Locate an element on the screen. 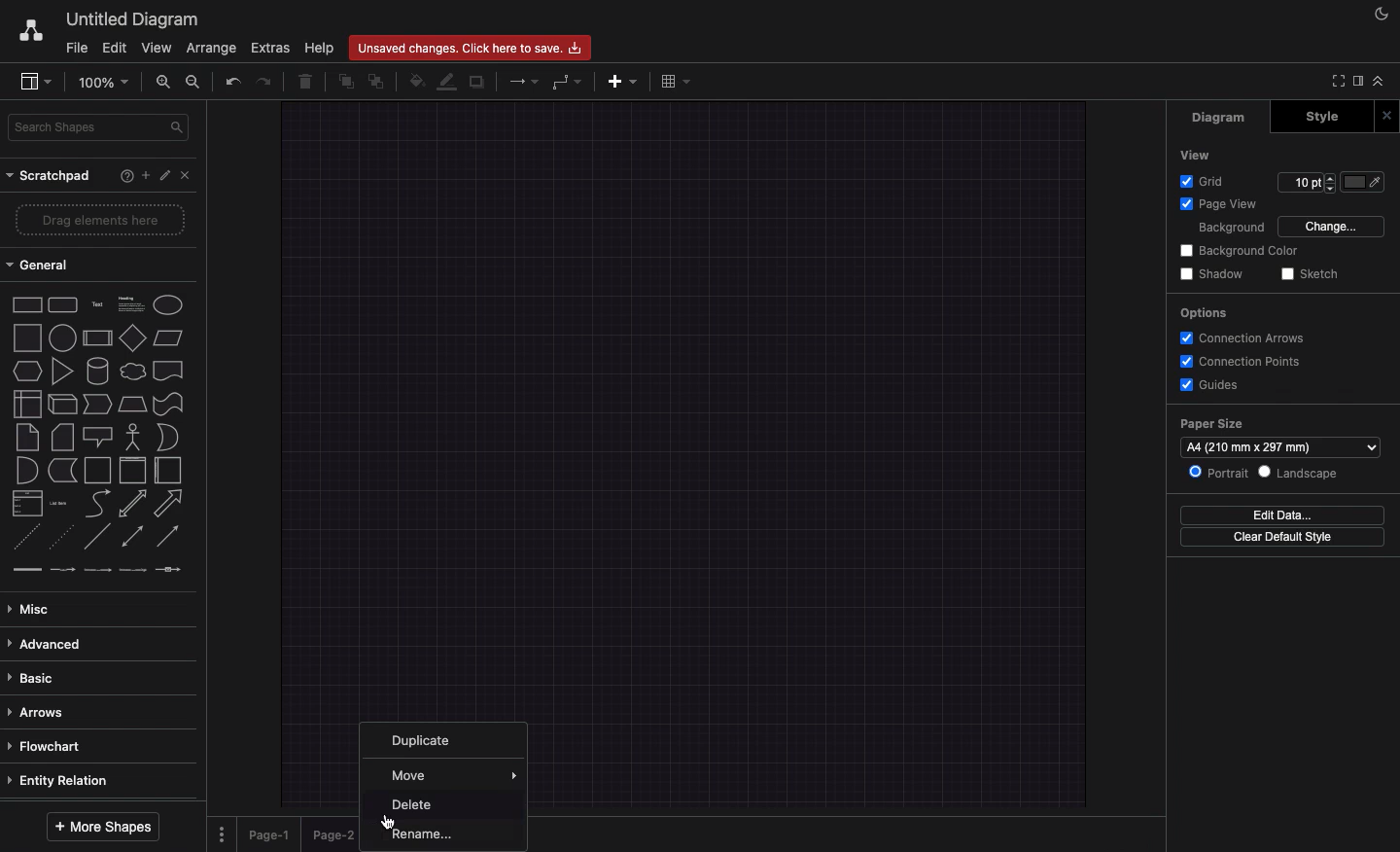 The height and width of the screenshot is (852, 1400). Background is located at coordinates (1231, 229).